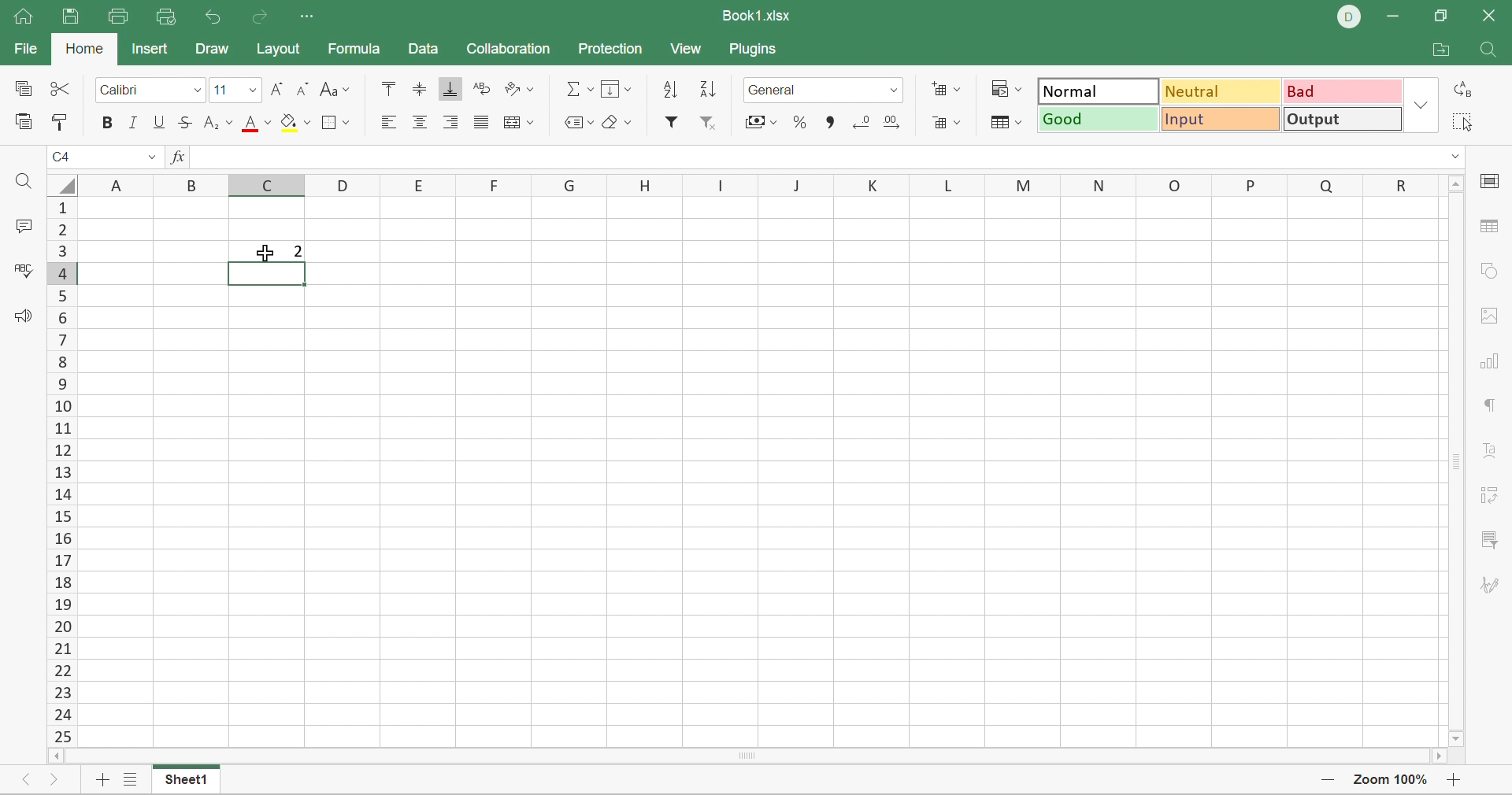  Describe the element at coordinates (27, 48) in the screenshot. I see `File` at that location.